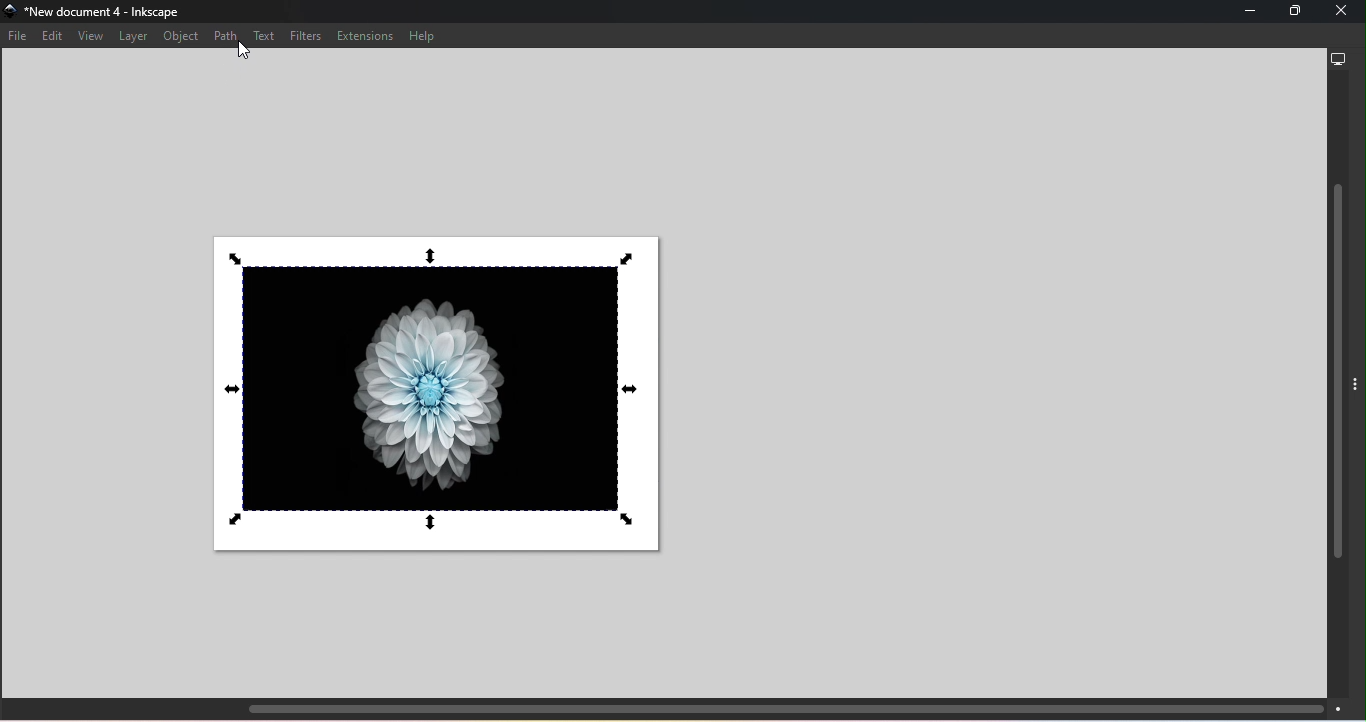  I want to click on Horizontal scroll bar, so click(674, 709).